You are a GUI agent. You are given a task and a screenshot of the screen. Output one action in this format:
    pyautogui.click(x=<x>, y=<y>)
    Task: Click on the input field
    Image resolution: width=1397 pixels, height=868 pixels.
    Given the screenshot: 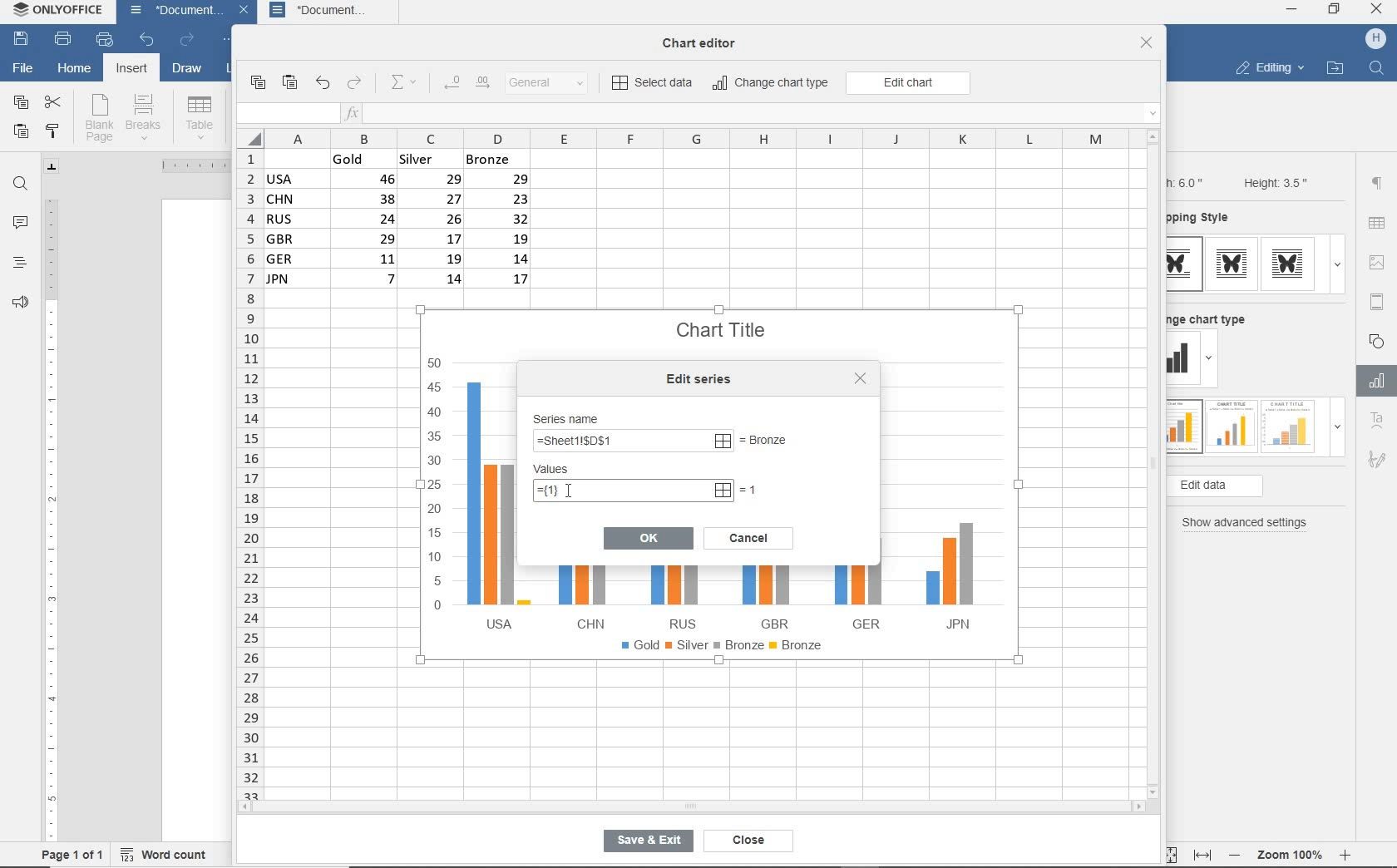 What is the action you would take?
    pyautogui.click(x=286, y=114)
    